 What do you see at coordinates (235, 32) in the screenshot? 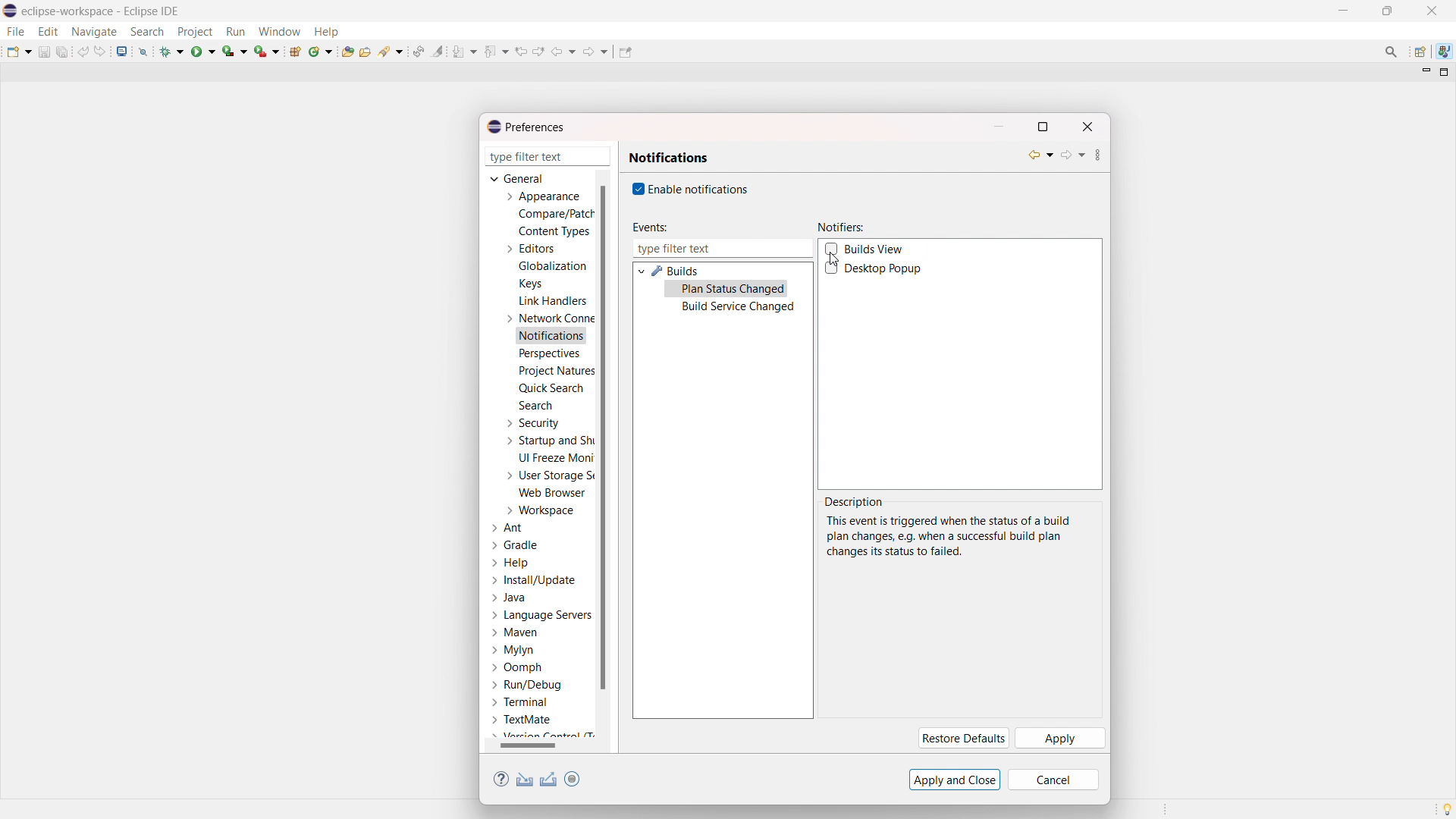
I see `run` at bounding box center [235, 32].